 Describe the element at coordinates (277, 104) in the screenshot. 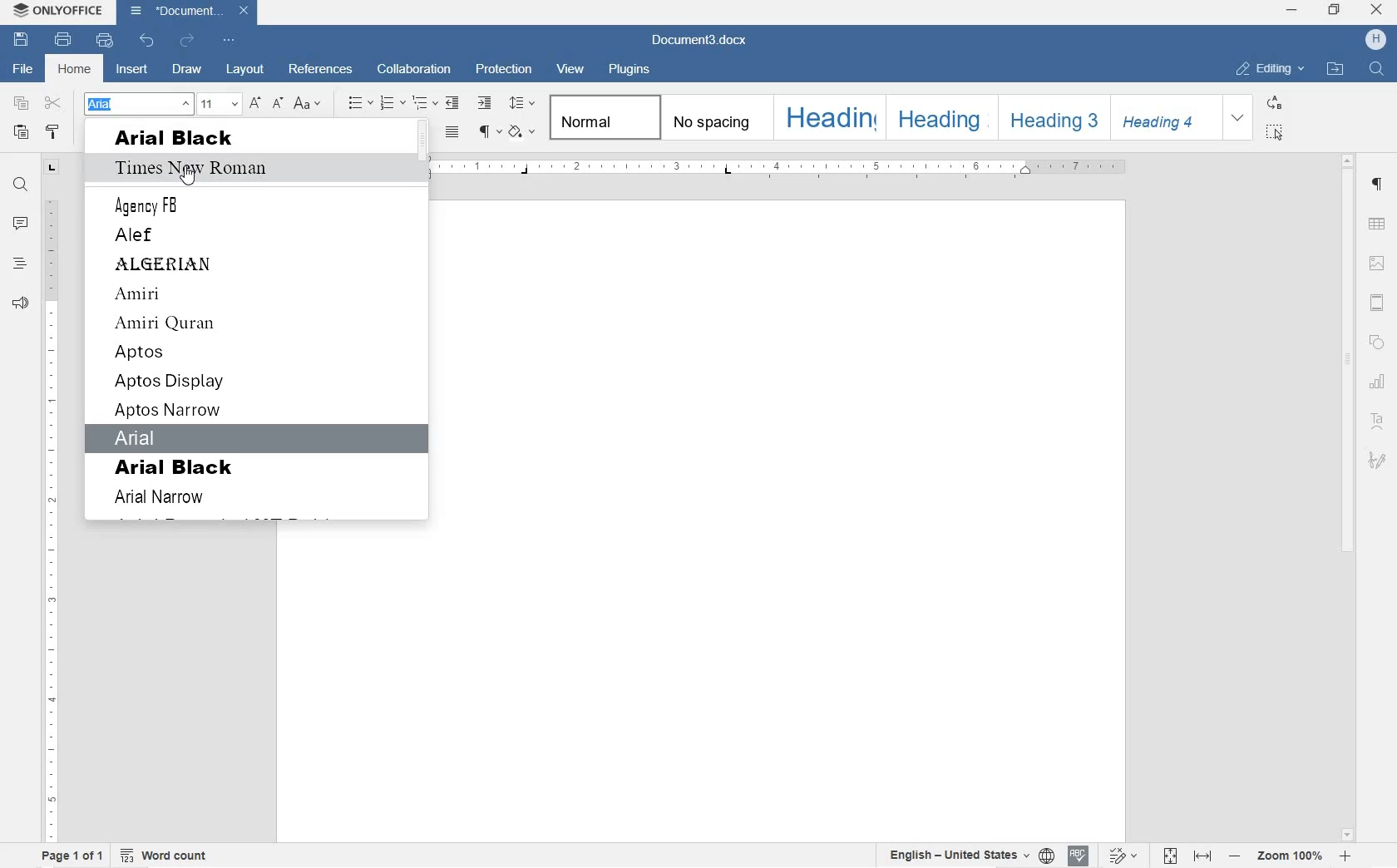

I see `DECREMENT FONT SIZE` at that location.